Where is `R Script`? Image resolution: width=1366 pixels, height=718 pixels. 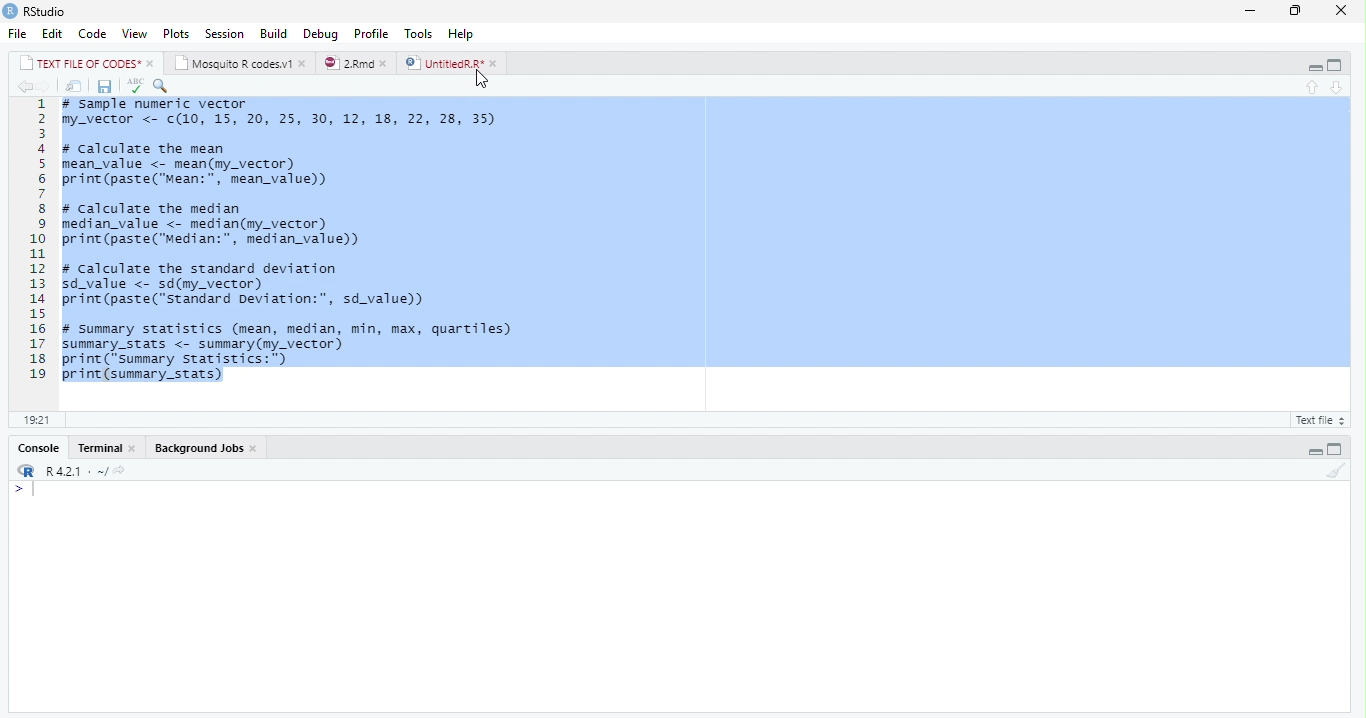 R Script is located at coordinates (1317, 421).